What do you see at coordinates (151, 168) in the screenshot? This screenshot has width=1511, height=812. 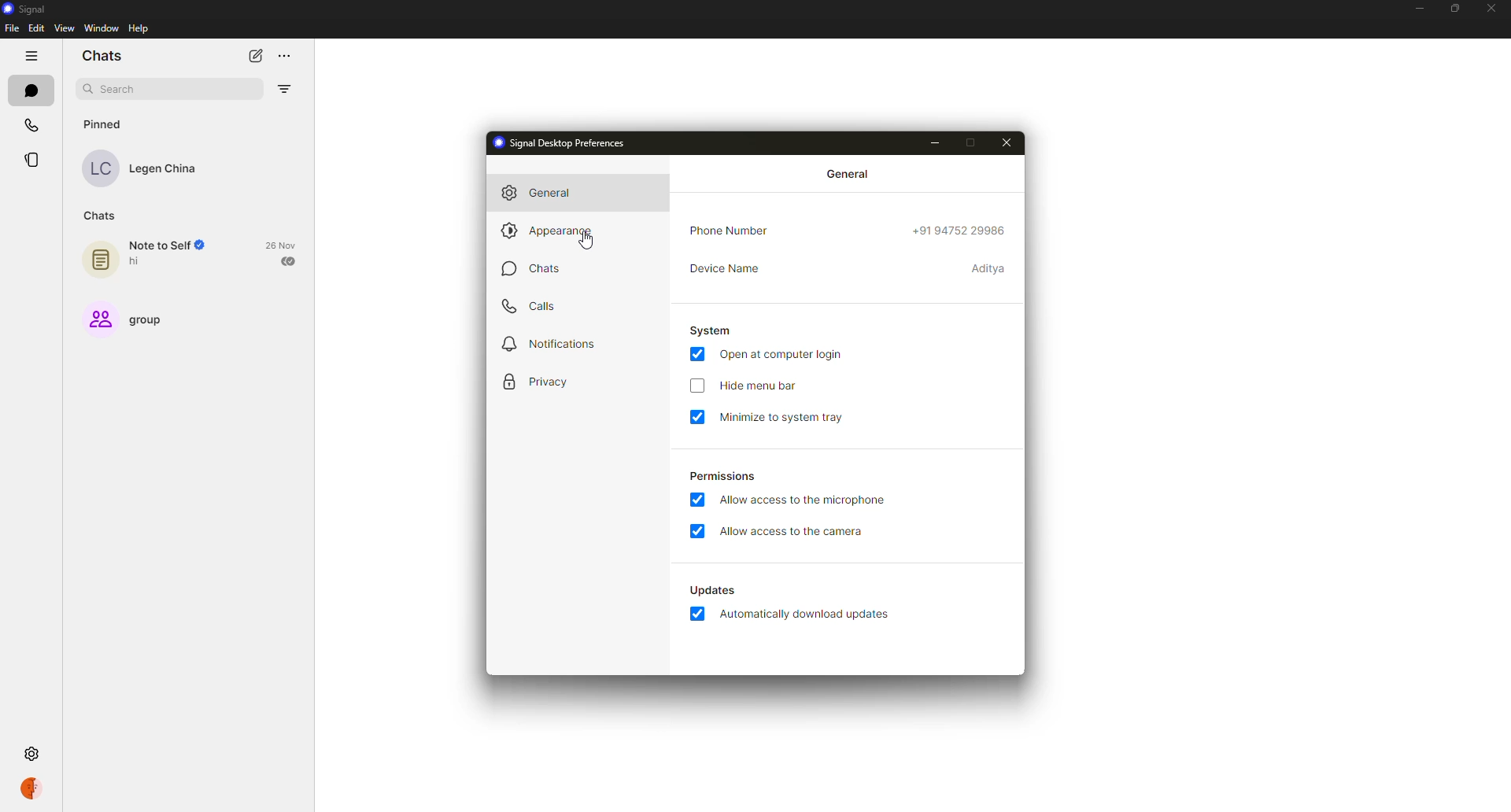 I see `contact` at bounding box center [151, 168].